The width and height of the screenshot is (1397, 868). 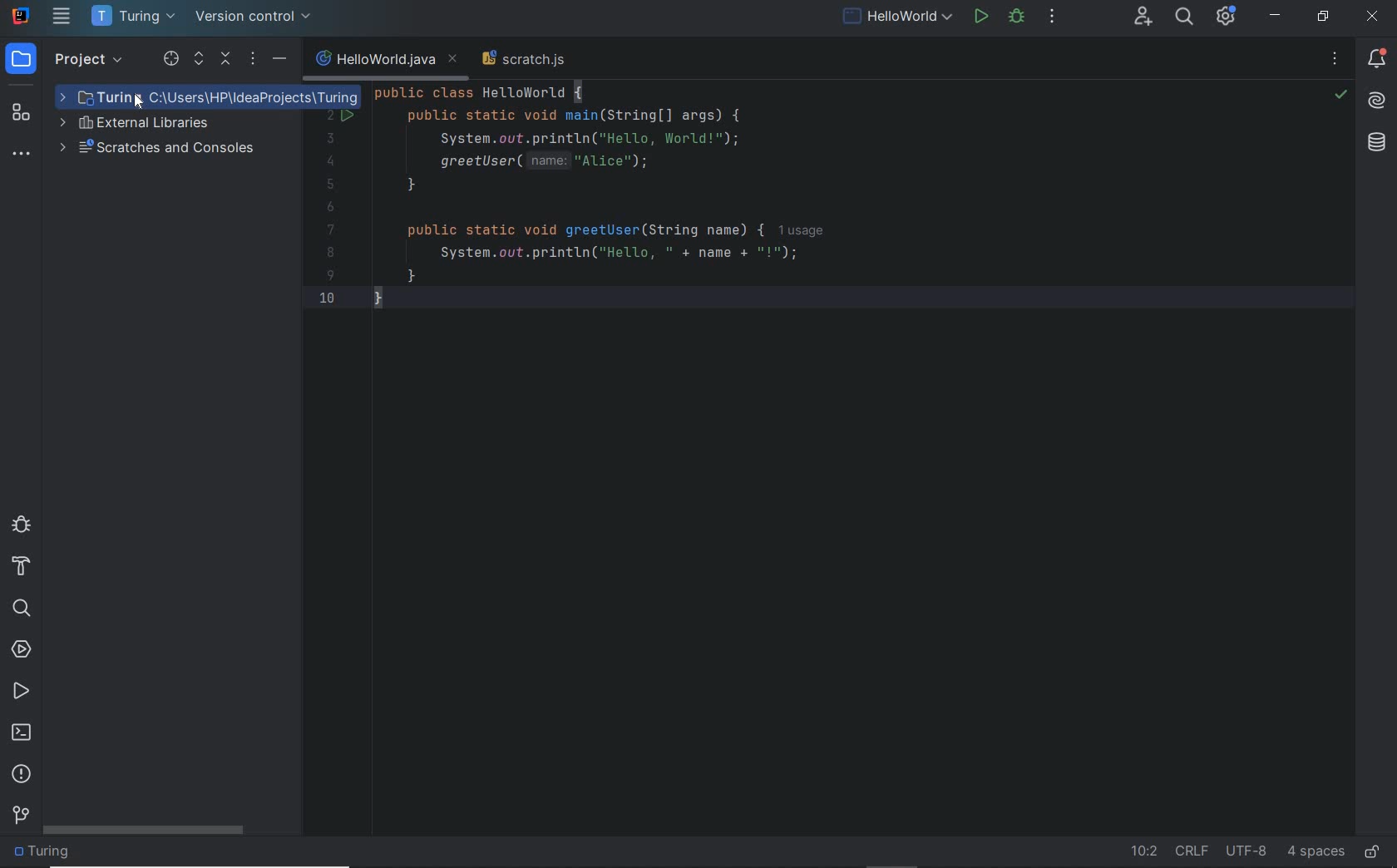 I want to click on MINIMIZE, so click(x=1276, y=16).